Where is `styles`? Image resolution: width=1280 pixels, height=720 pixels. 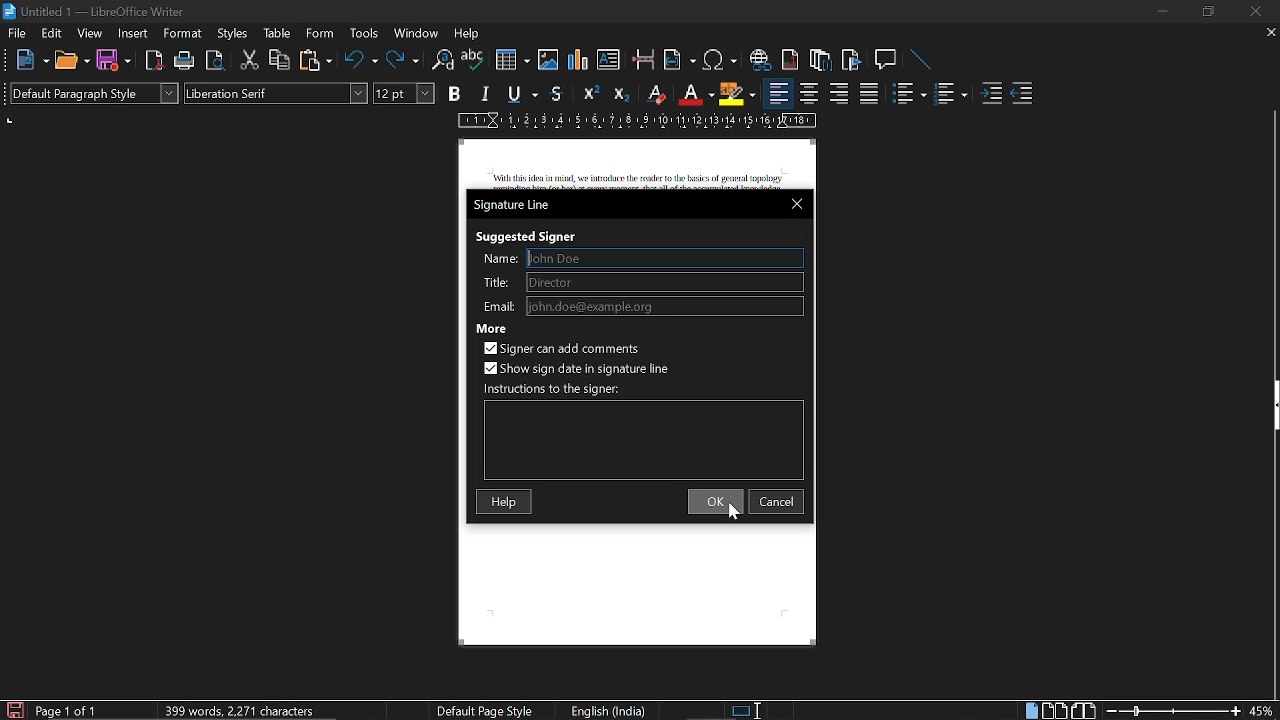 styles is located at coordinates (232, 34).